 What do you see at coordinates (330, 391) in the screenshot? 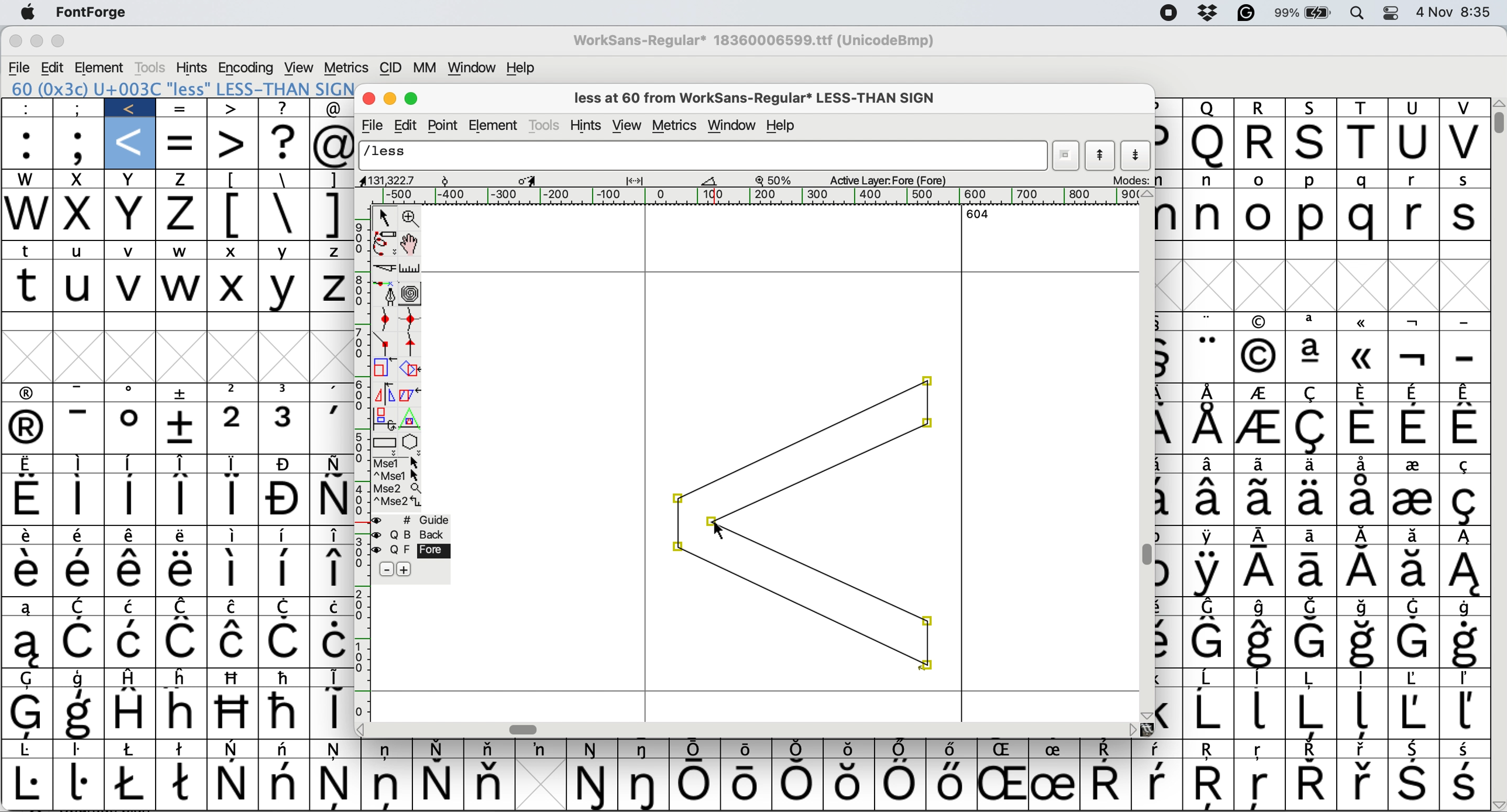
I see `Symbol` at bounding box center [330, 391].